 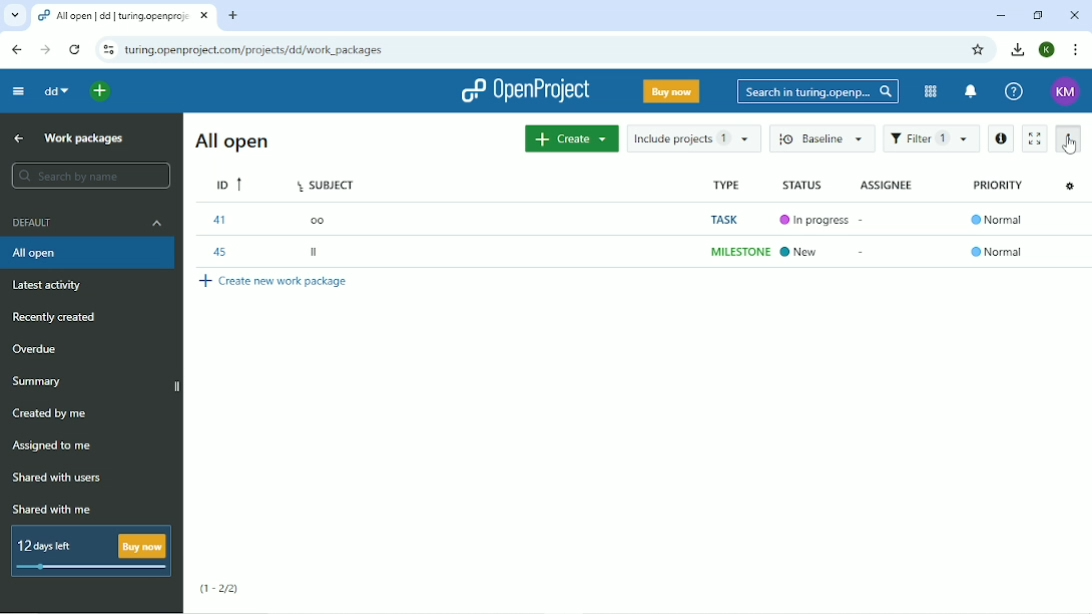 I want to click on Buy now, so click(x=673, y=91).